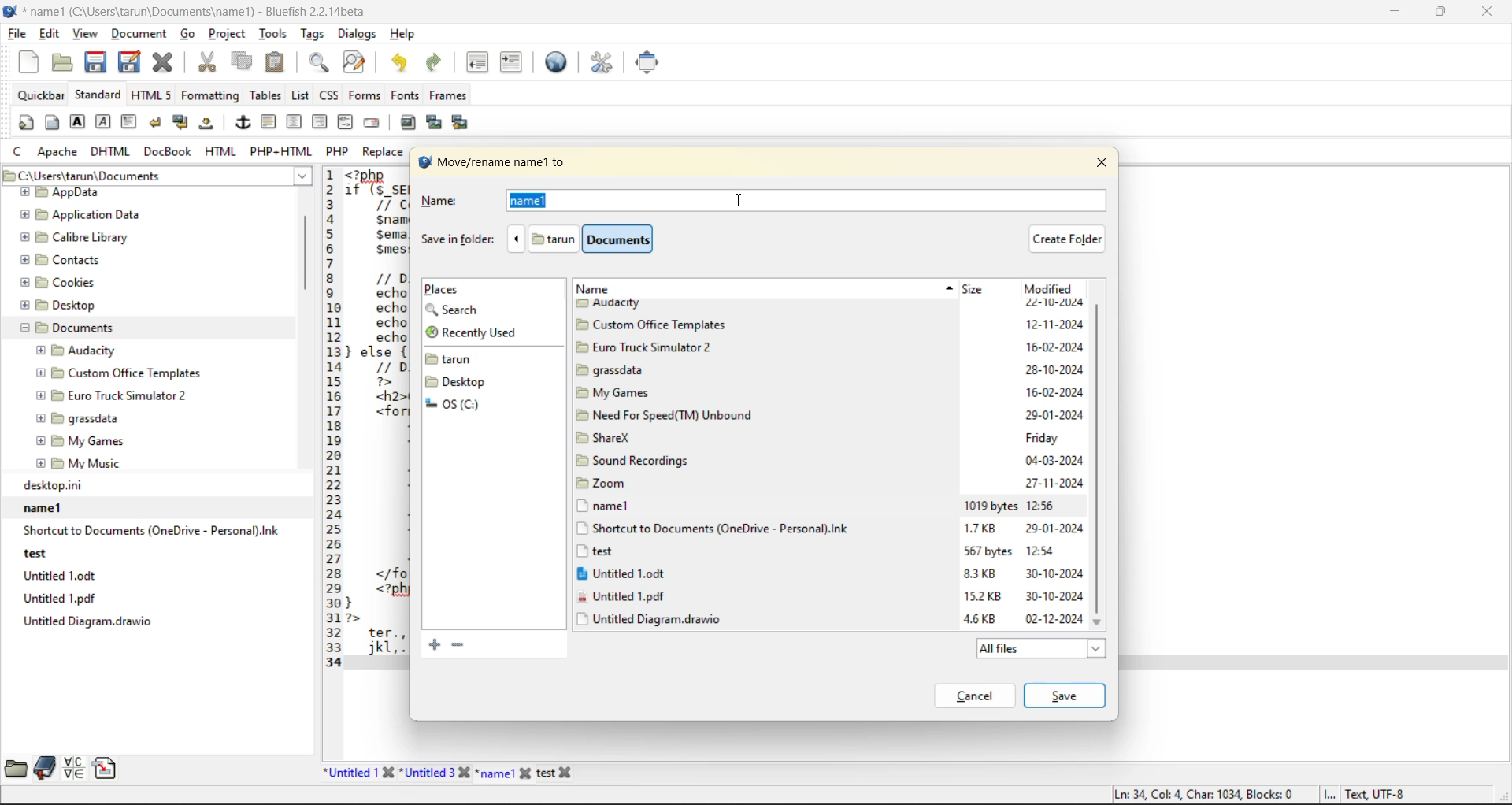 The height and width of the screenshot is (805, 1512). I want to click on project, so click(228, 34).